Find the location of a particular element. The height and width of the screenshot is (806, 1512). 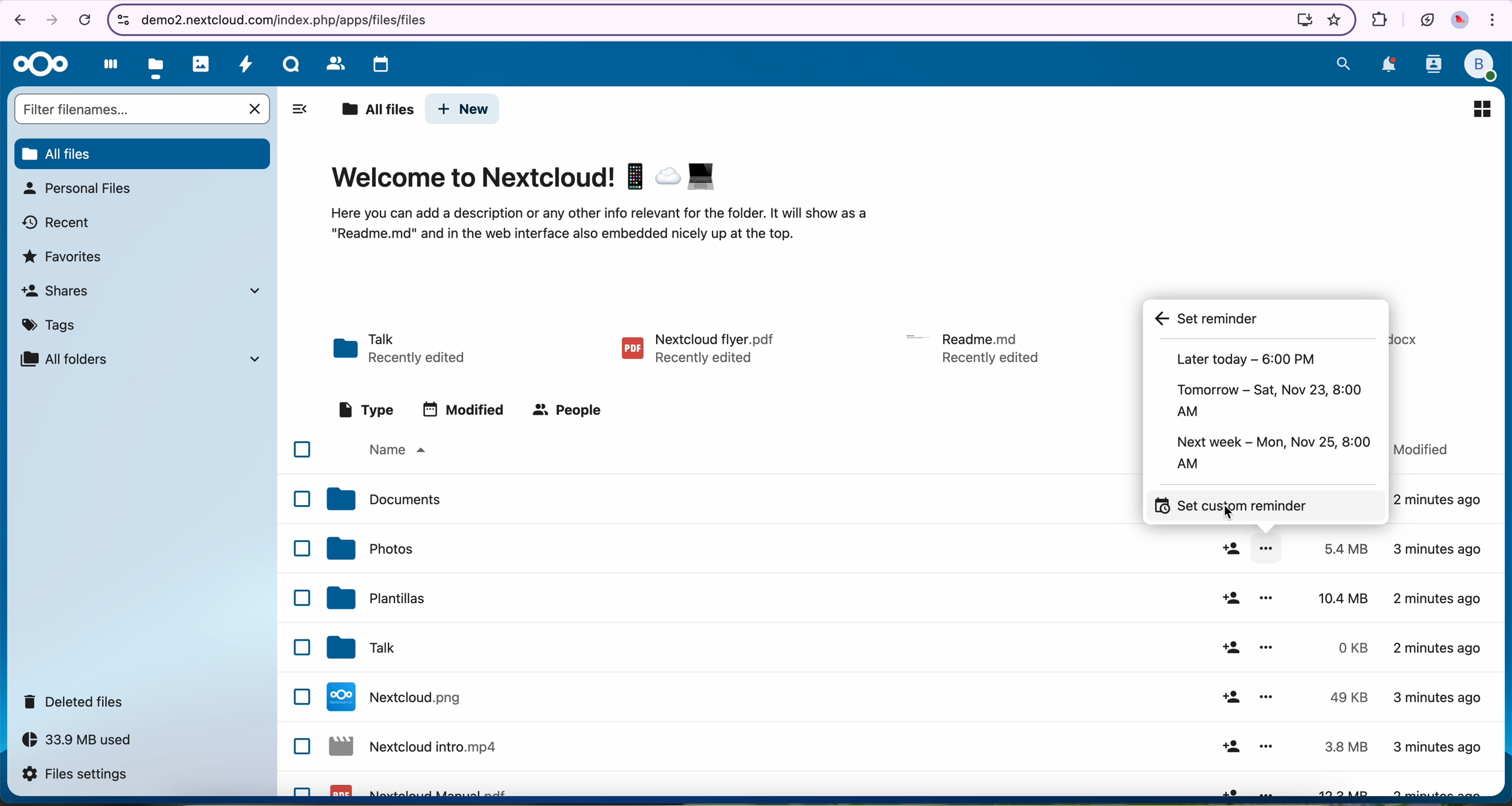

search is located at coordinates (1342, 63).